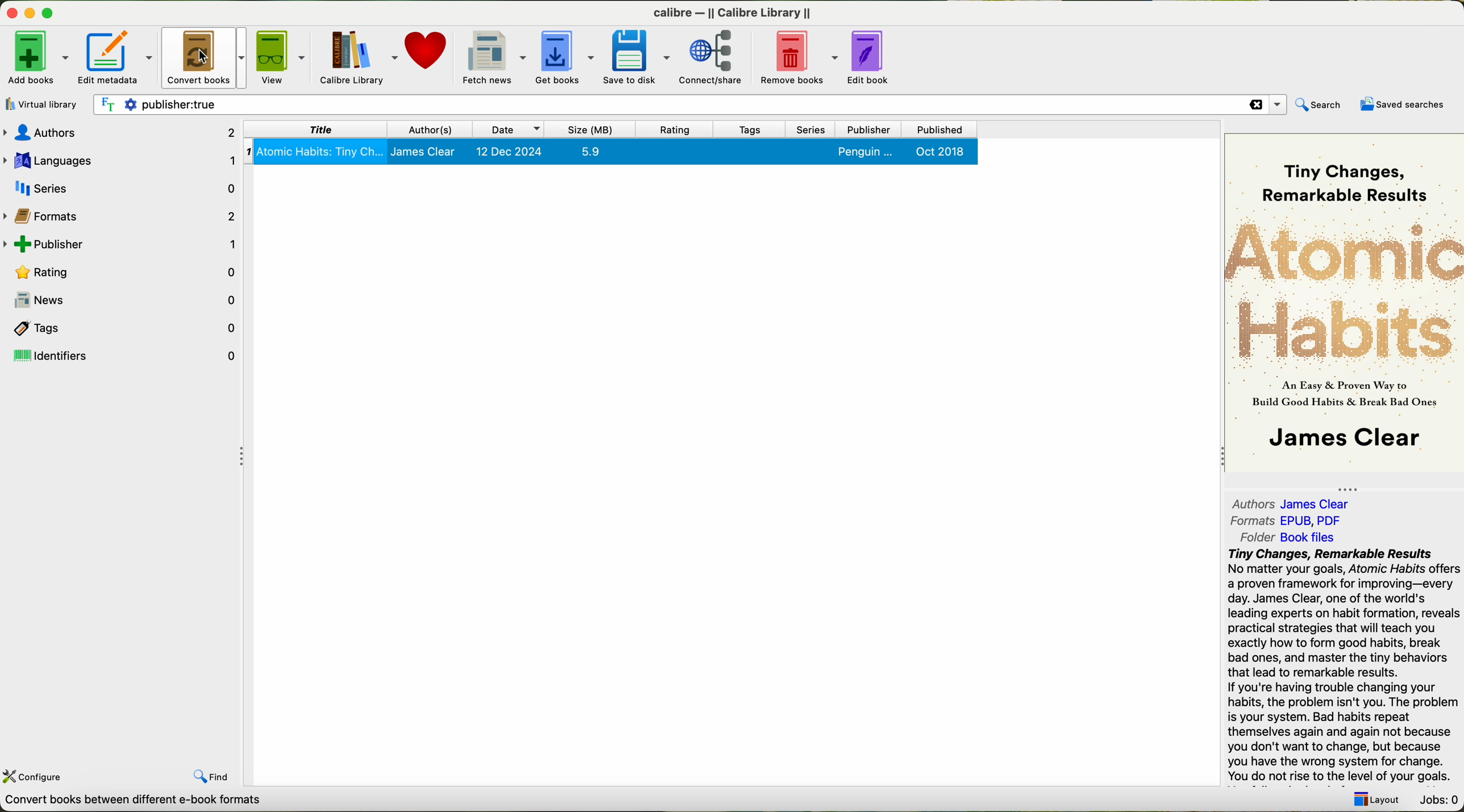 The image size is (1464, 812). I want to click on publisher, so click(867, 130).